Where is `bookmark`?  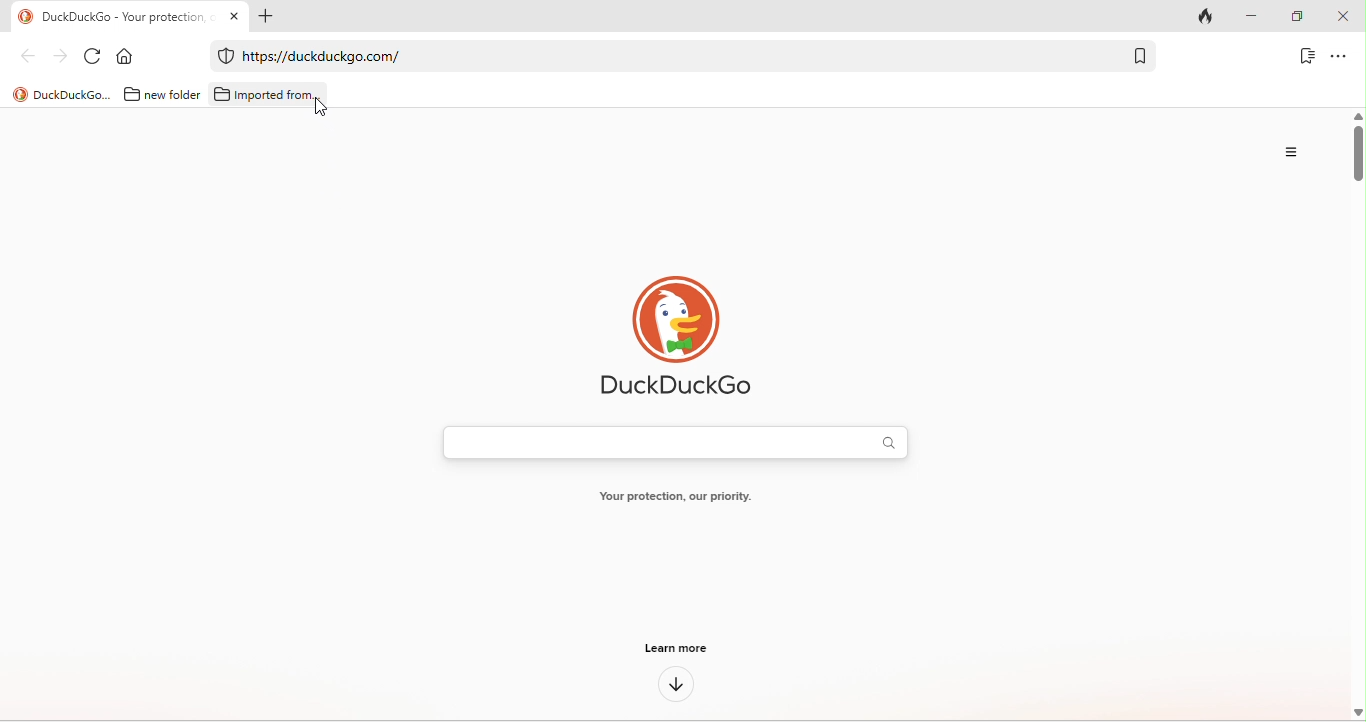
bookmark is located at coordinates (1305, 58).